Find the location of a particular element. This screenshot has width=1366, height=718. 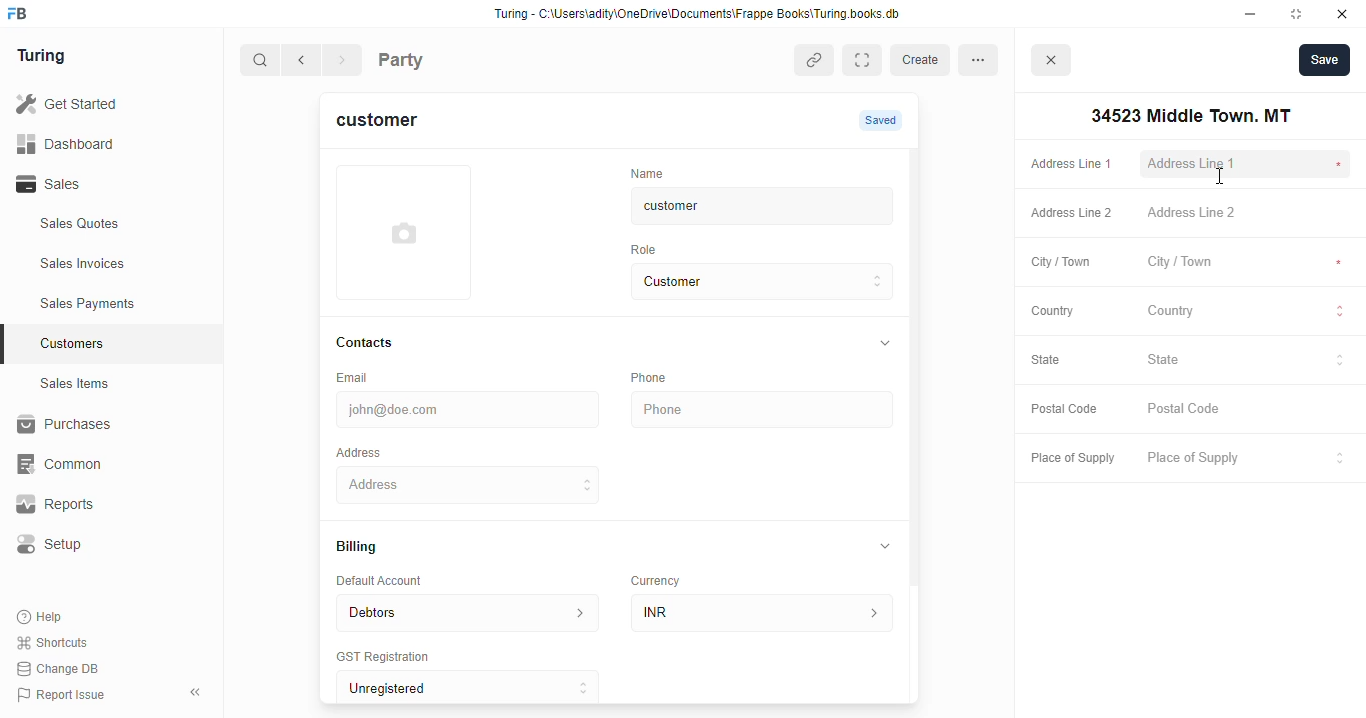

cursor is located at coordinates (1219, 177).